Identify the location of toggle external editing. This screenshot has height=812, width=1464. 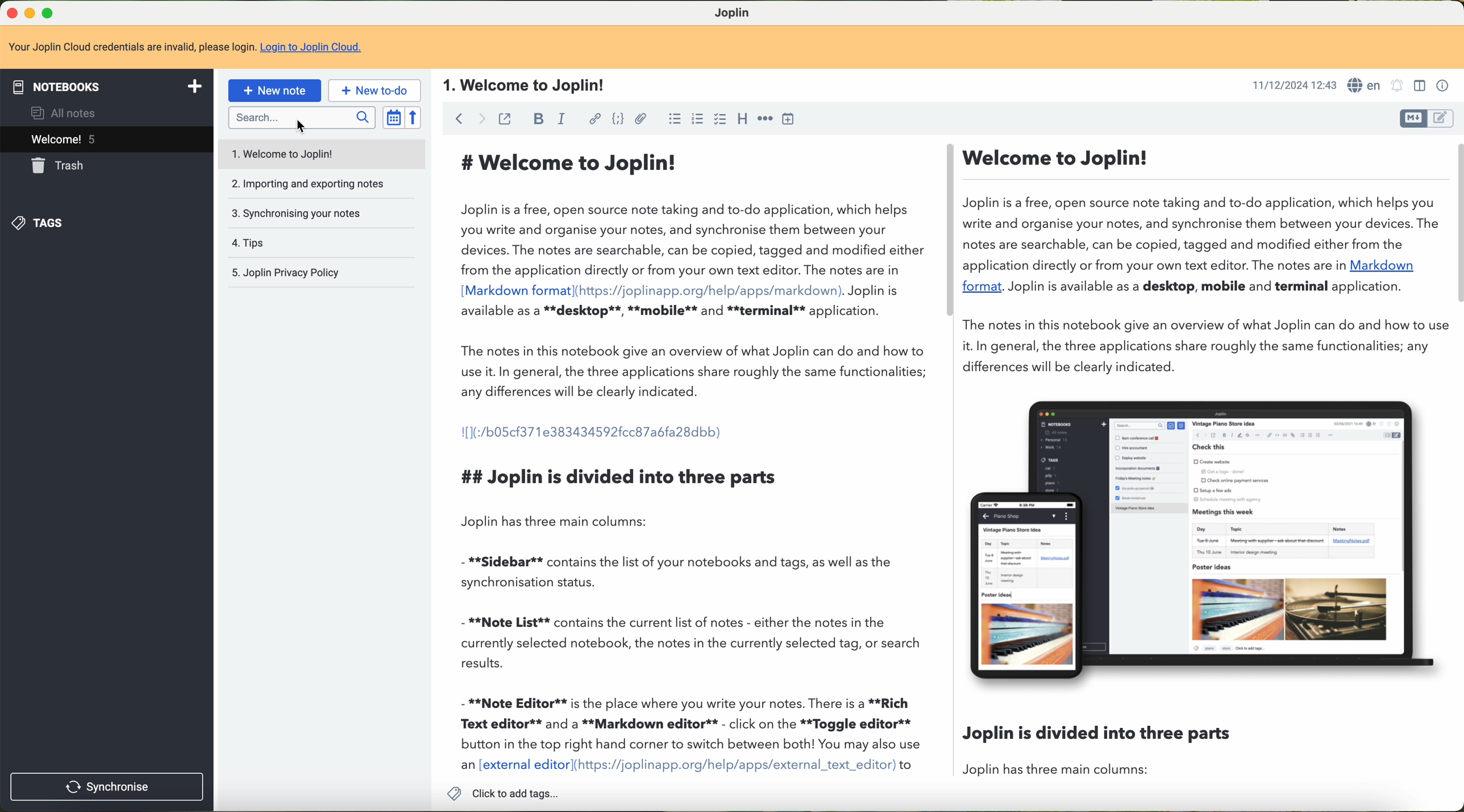
(506, 120).